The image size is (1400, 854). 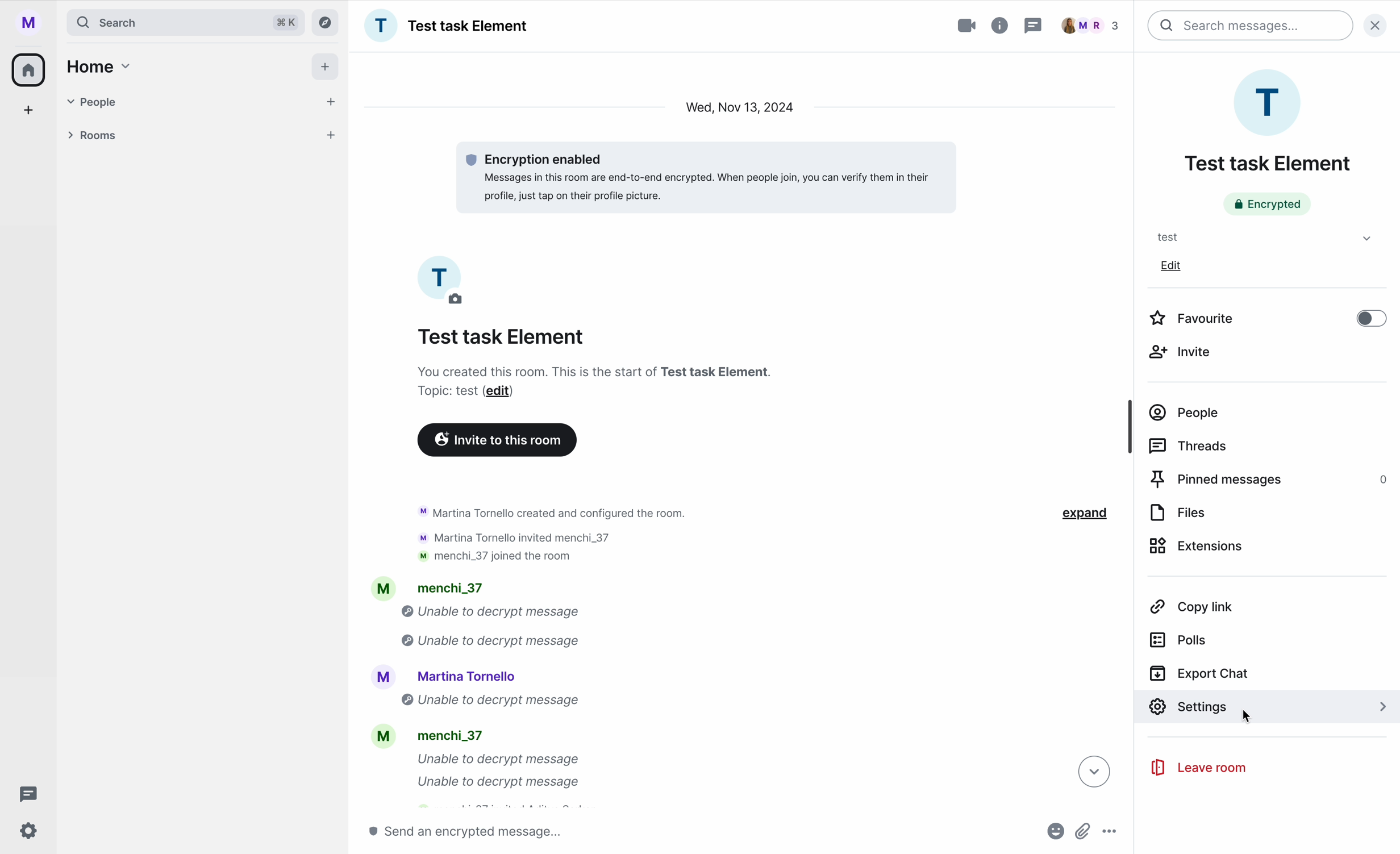 I want to click on search bar, so click(x=1251, y=26).